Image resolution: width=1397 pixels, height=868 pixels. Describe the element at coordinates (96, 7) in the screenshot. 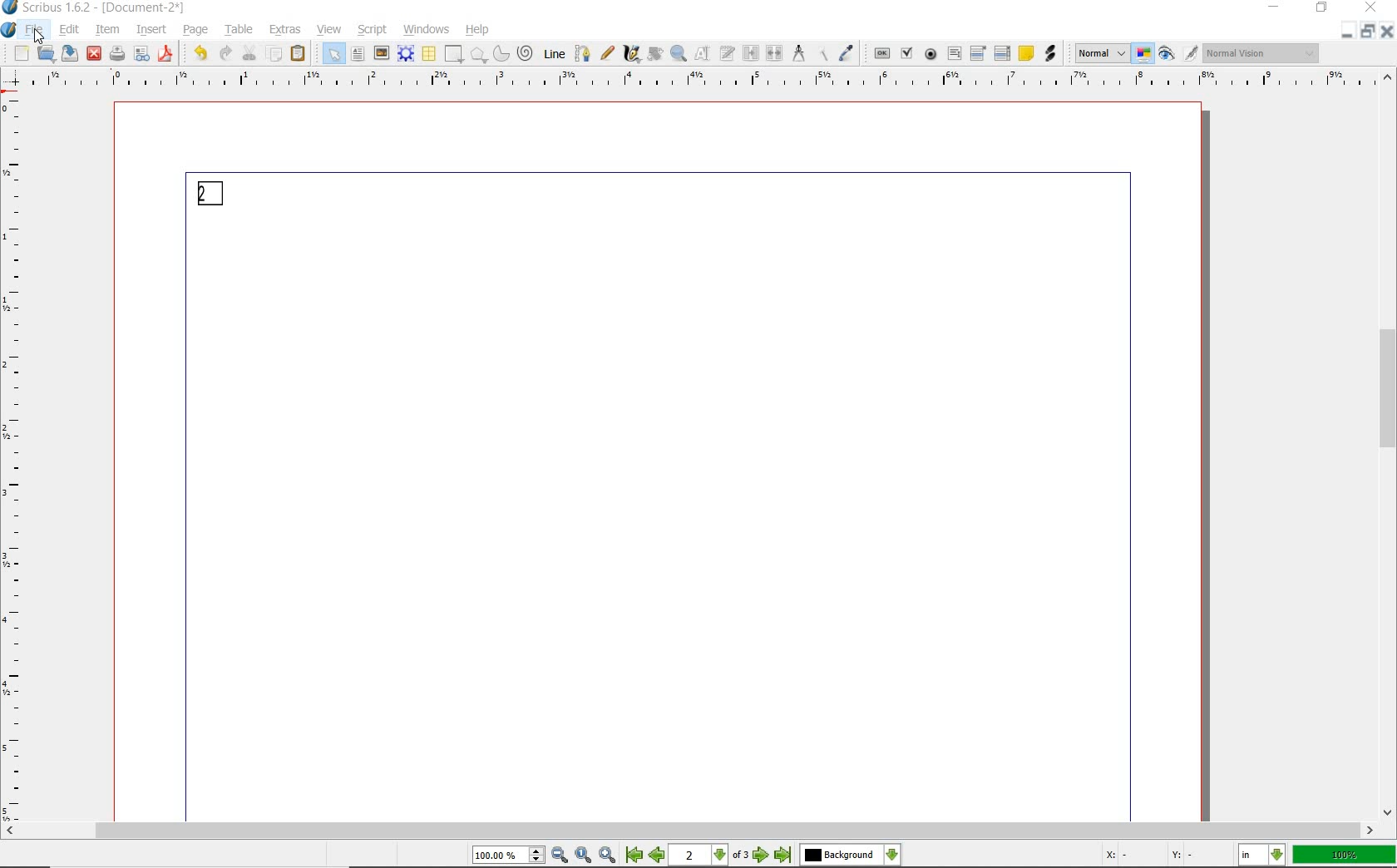

I see `Scribus 1.62 - [Document-2*]` at that location.